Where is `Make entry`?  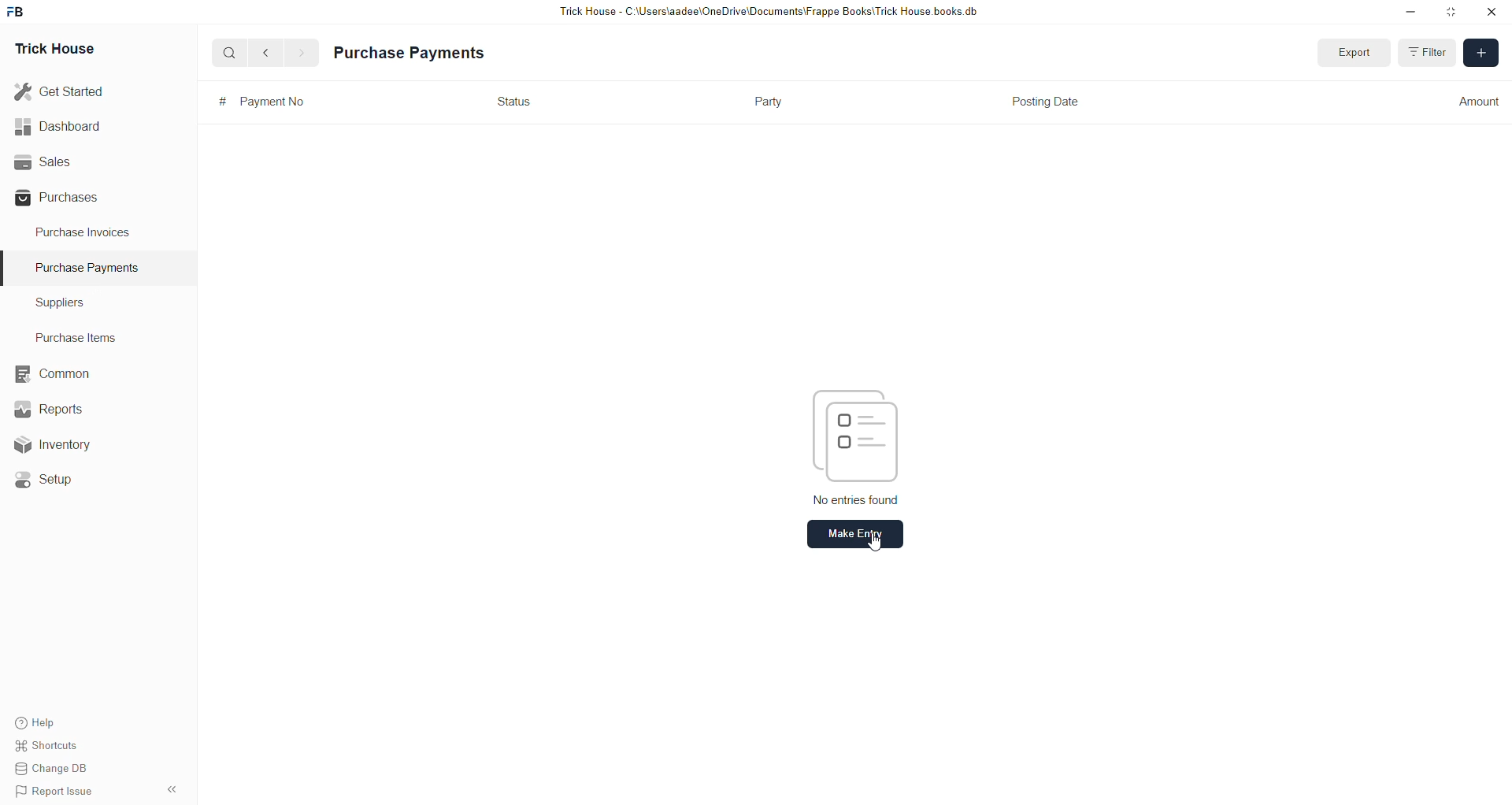
Make entry is located at coordinates (855, 533).